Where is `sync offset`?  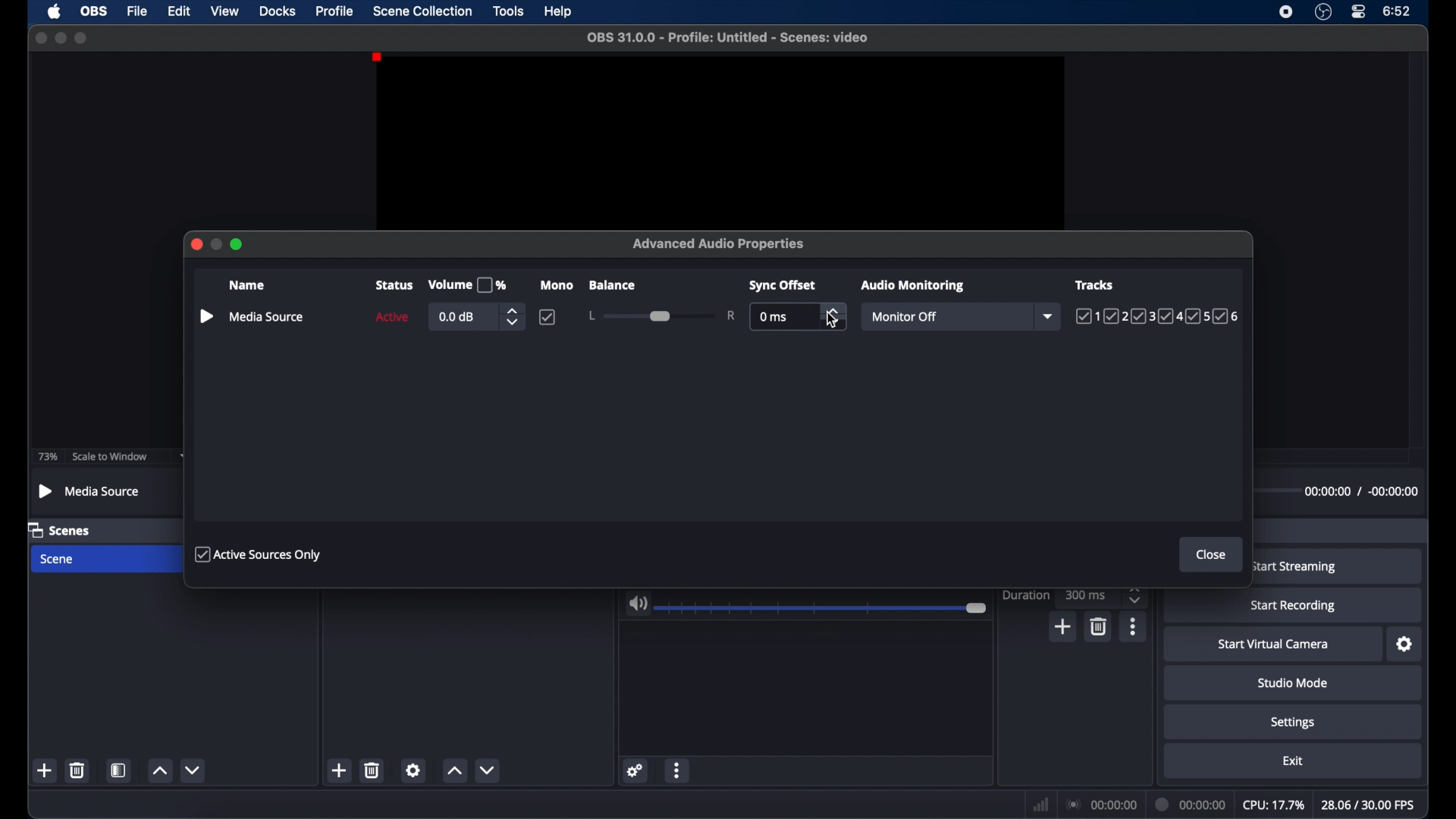 sync offset is located at coordinates (783, 286).